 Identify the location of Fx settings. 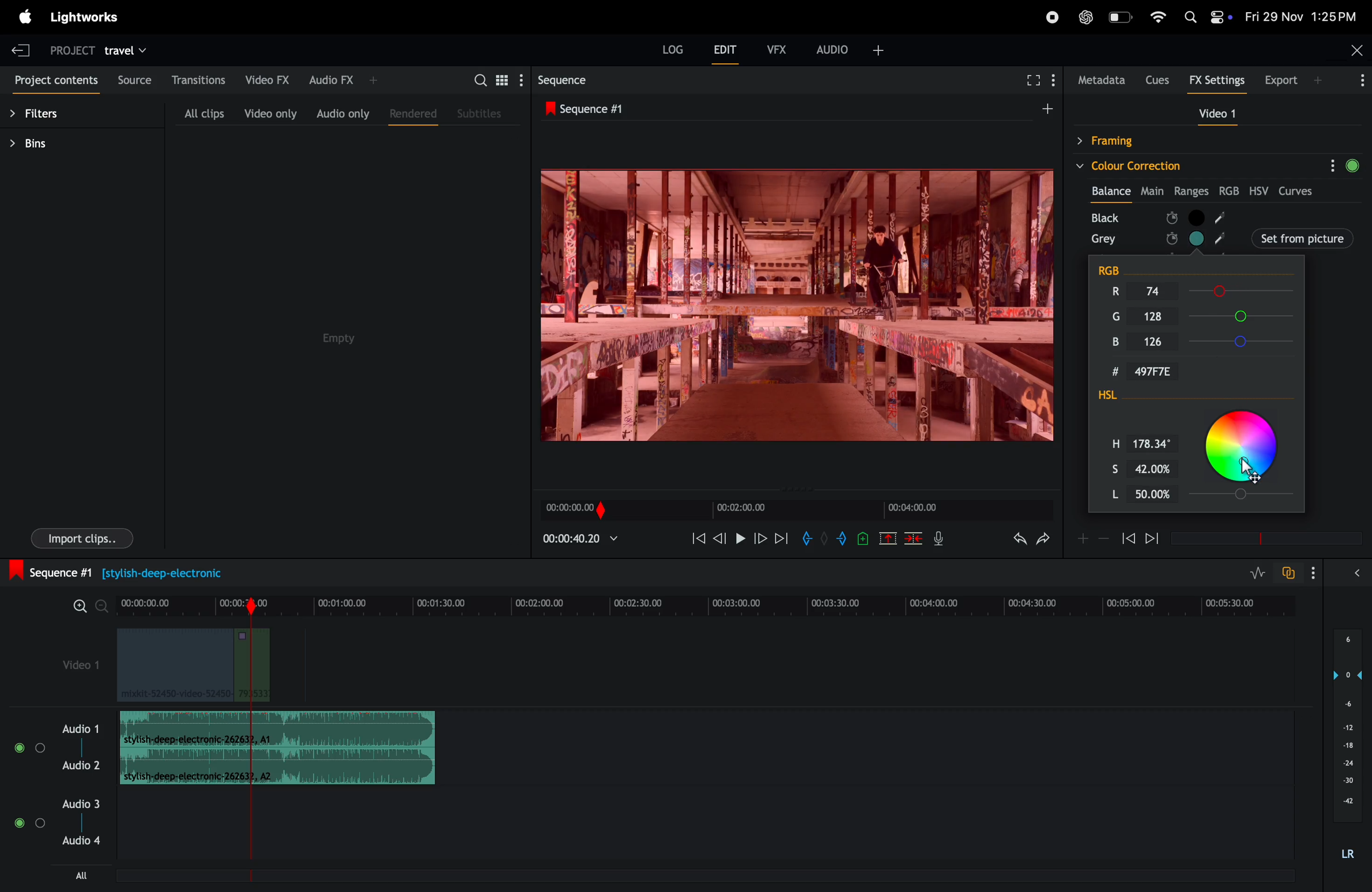
(1217, 82).